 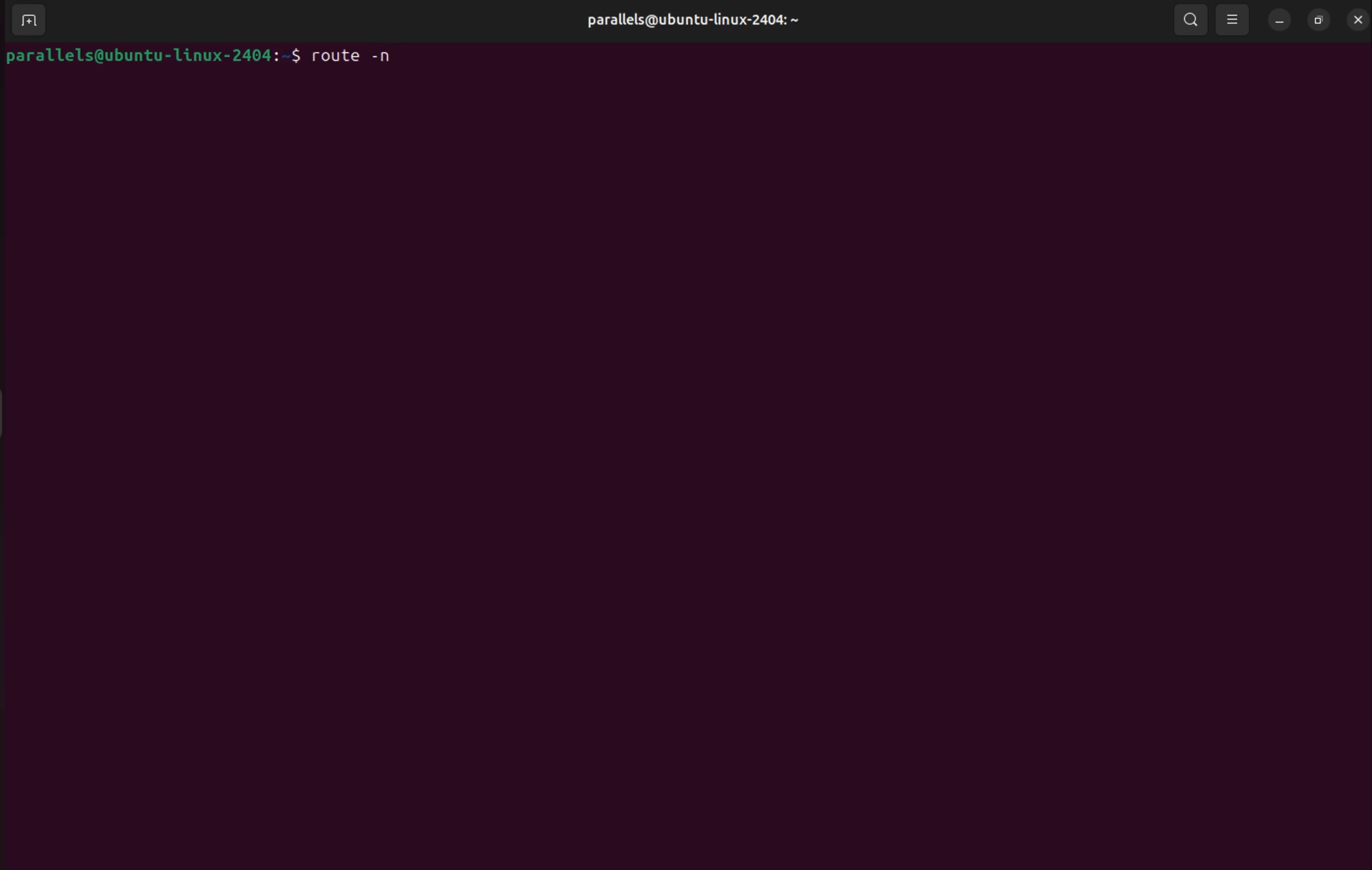 I want to click on add terminal window, so click(x=25, y=21).